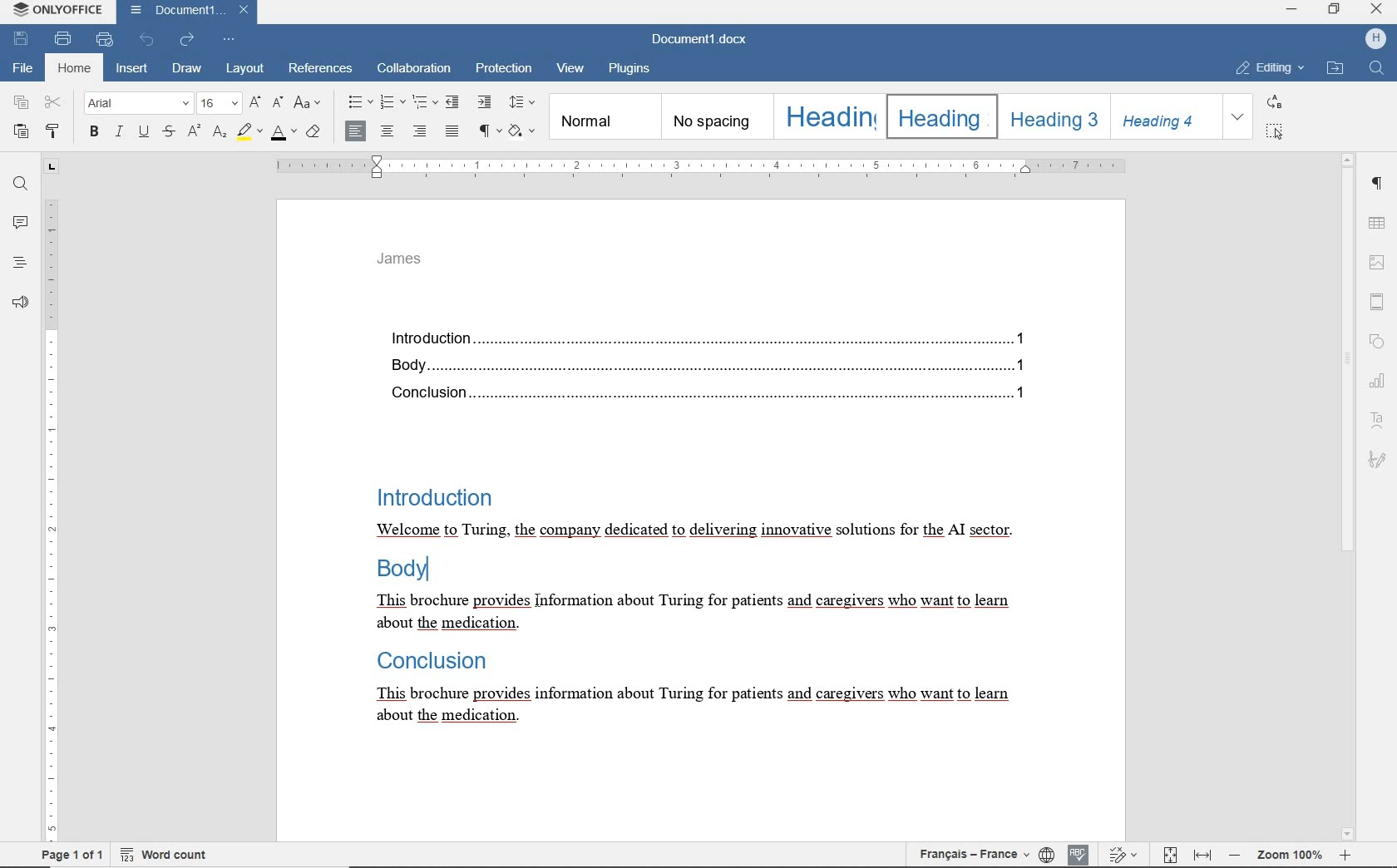 Image resolution: width=1397 pixels, height=868 pixels. What do you see at coordinates (1273, 101) in the screenshot?
I see `REPLACE` at bounding box center [1273, 101].